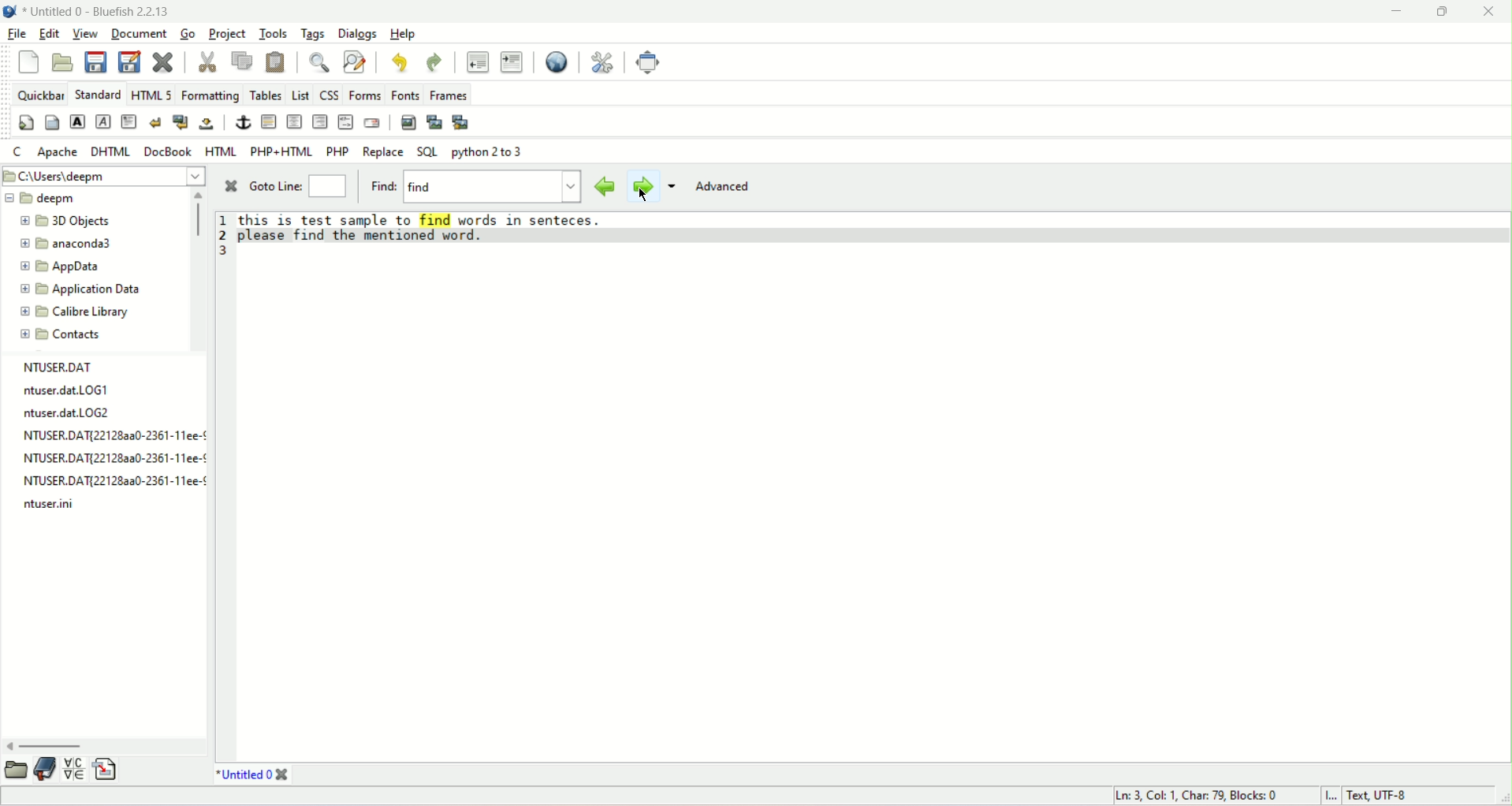  What do you see at coordinates (96, 61) in the screenshot?
I see `save current file` at bounding box center [96, 61].